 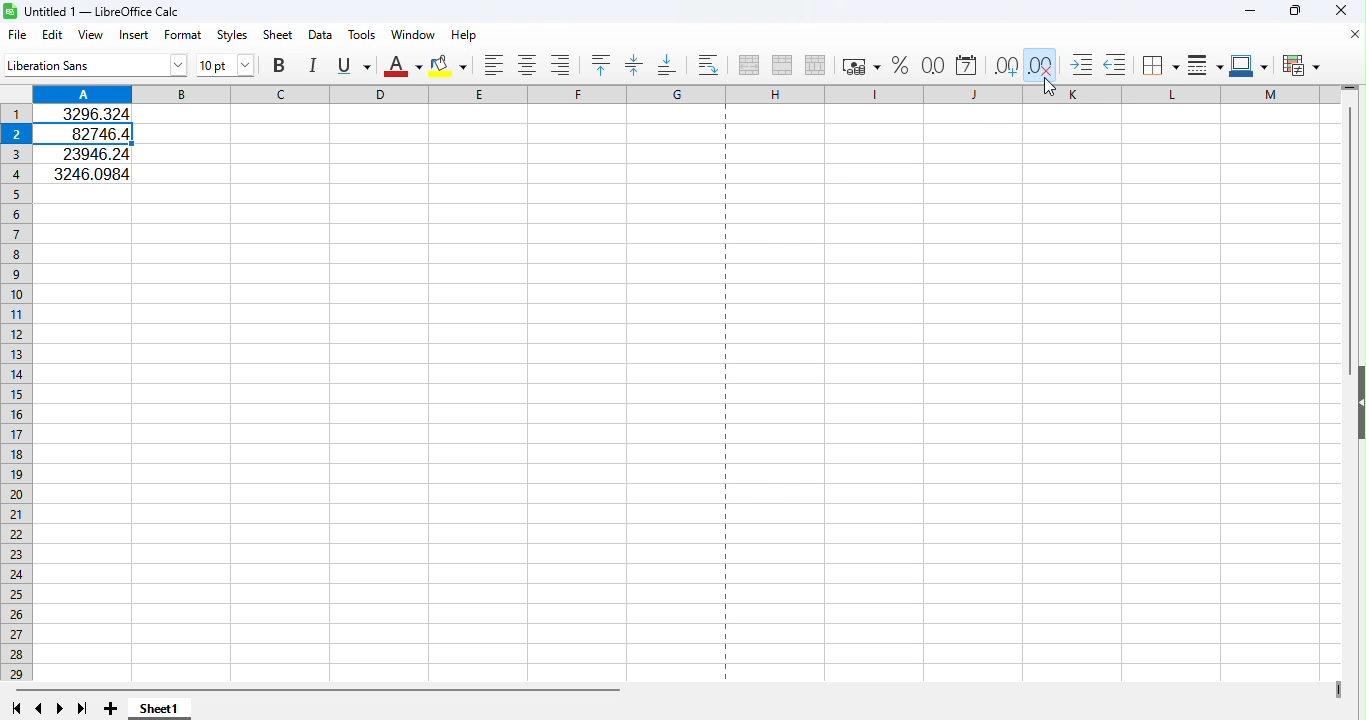 What do you see at coordinates (1160, 64) in the screenshot?
I see `Borders` at bounding box center [1160, 64].